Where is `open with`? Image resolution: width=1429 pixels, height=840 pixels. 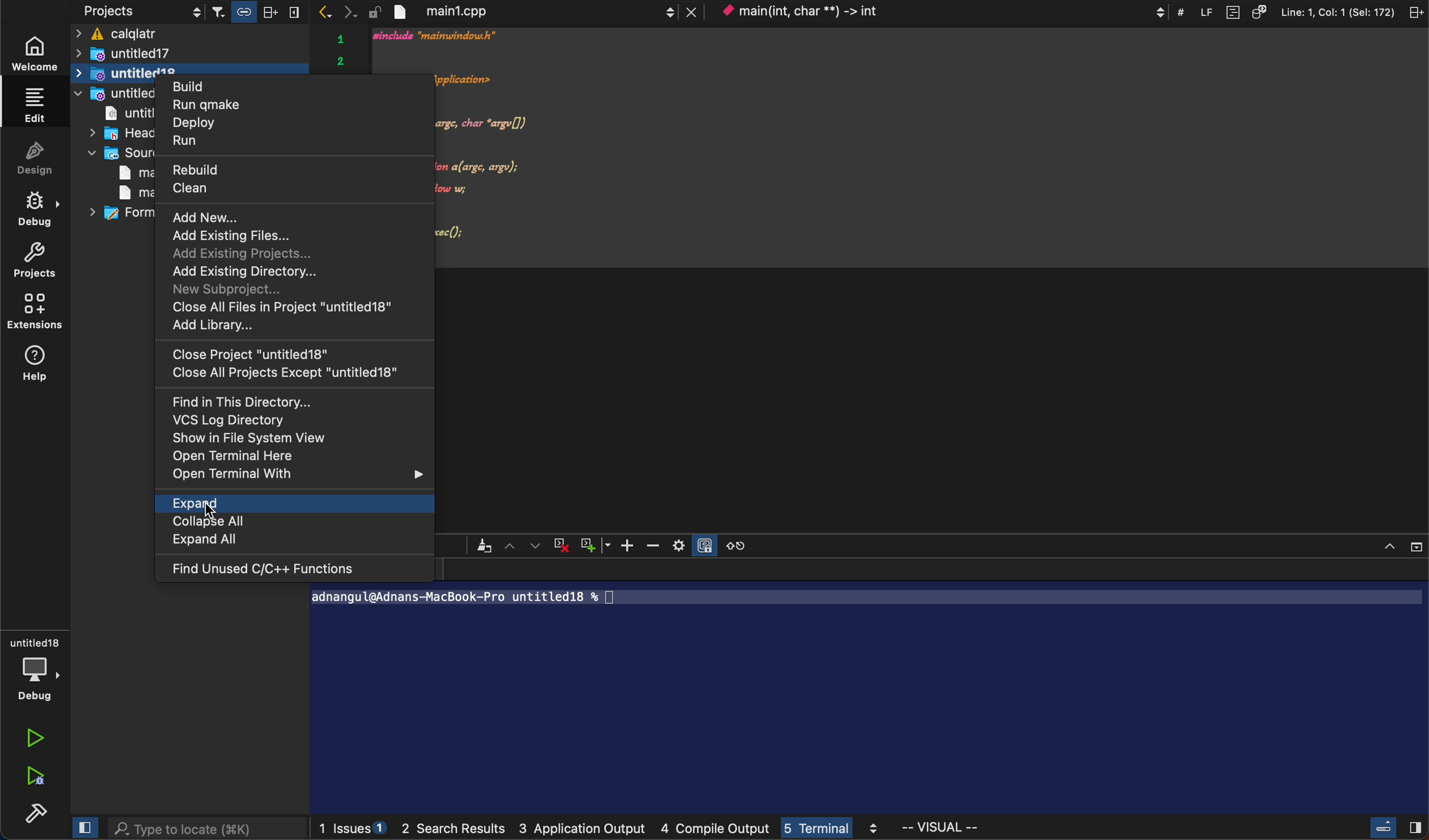 open with is located at coordinates (297, 476).